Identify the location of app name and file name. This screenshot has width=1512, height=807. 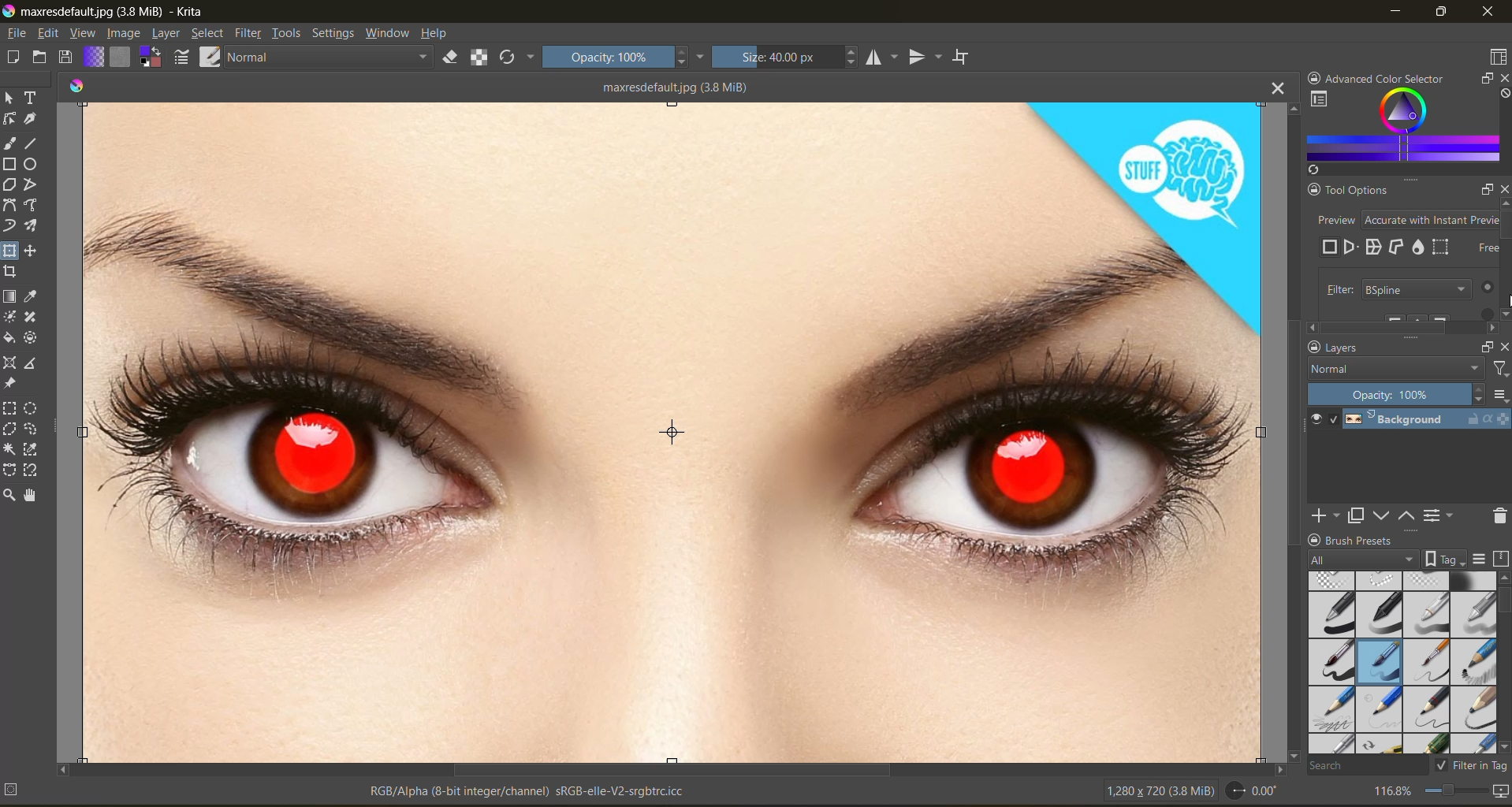
(109, 13).